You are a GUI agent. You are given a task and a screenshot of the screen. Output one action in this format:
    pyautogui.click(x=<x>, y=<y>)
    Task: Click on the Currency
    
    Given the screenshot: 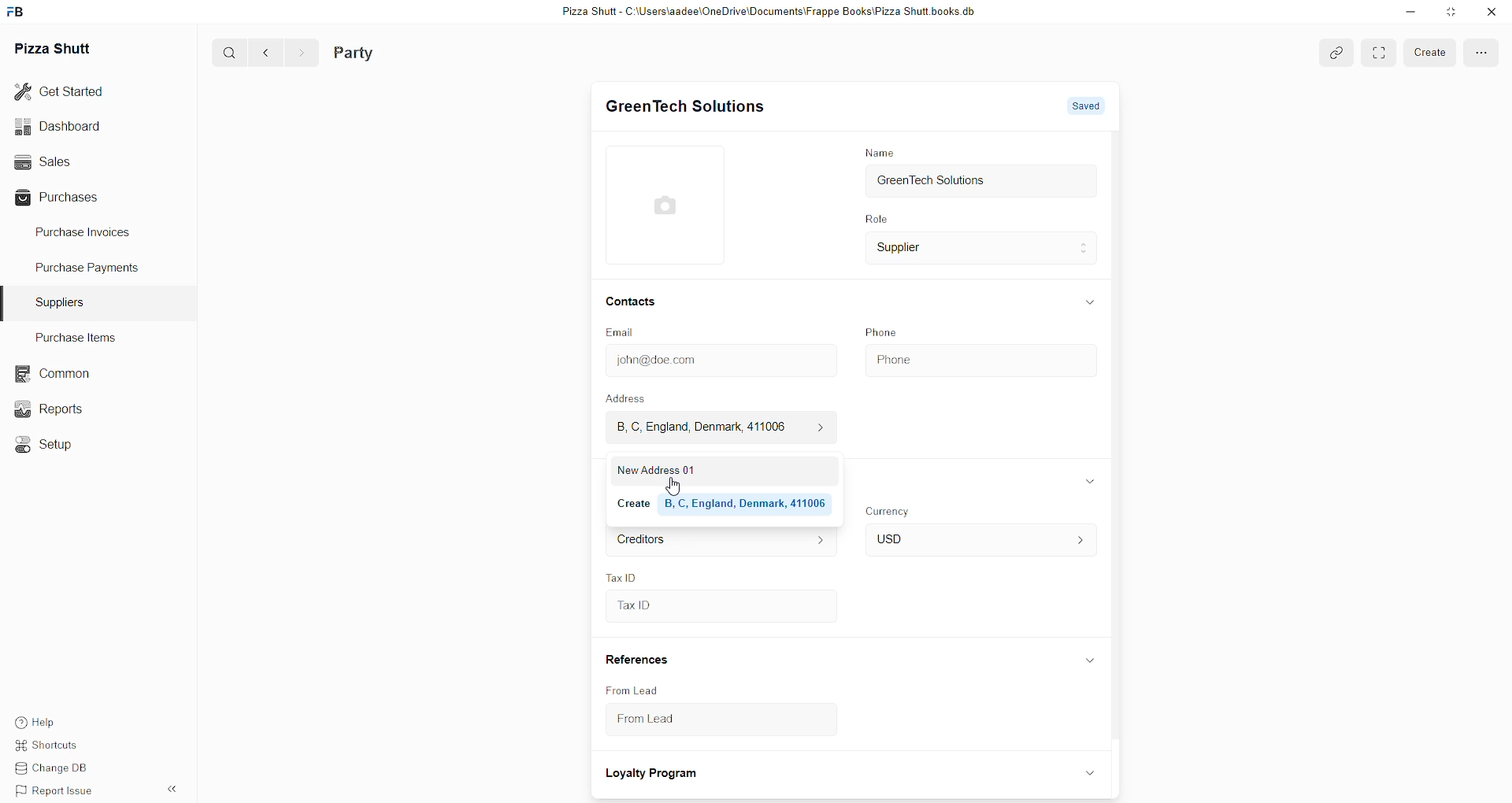 What is the action you would take?
    pyautogui.click(x=891, y=510)
    